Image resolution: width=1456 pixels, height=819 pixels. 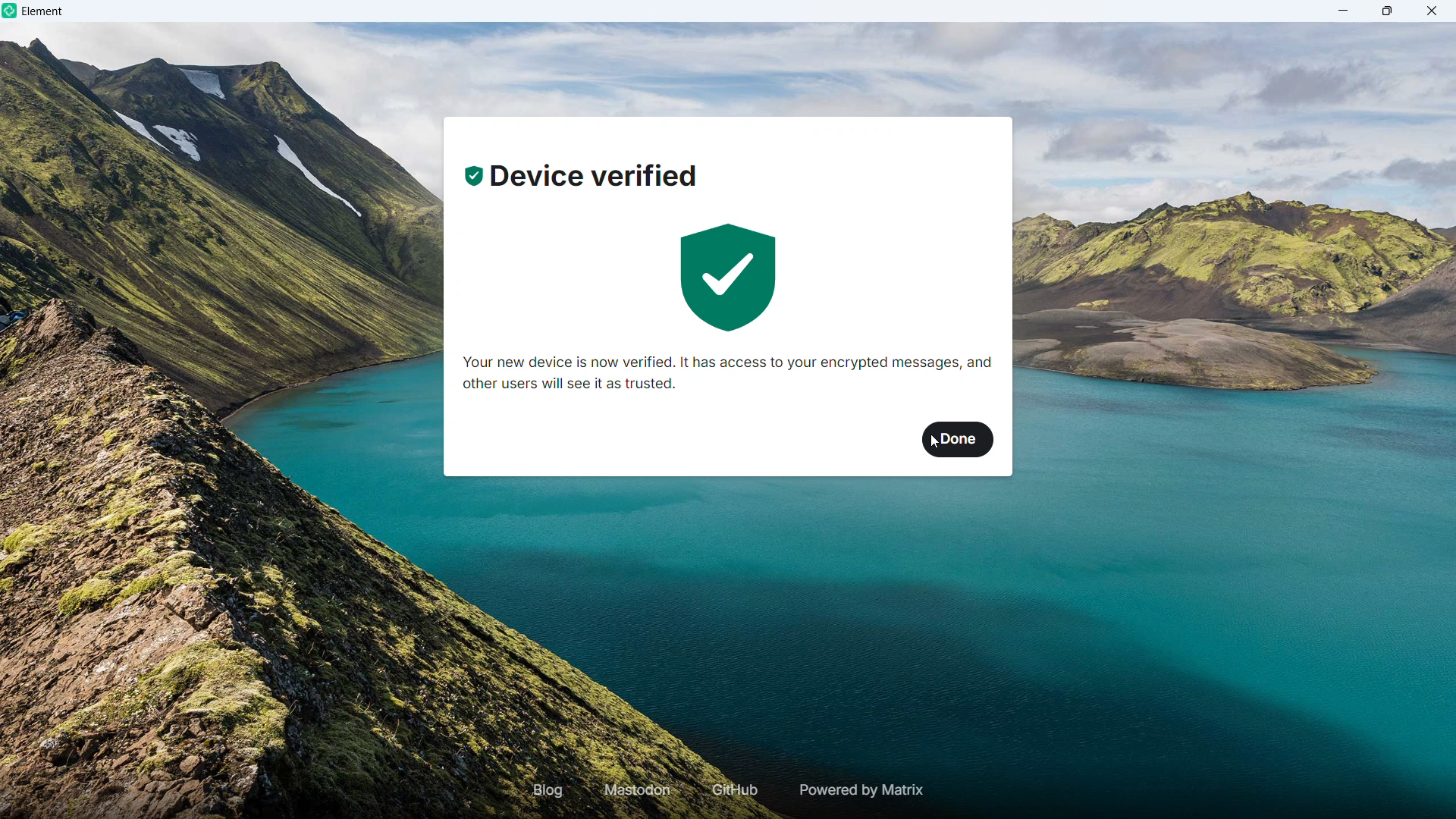 I want to click on Verification logo, so click(x=730, y=279).